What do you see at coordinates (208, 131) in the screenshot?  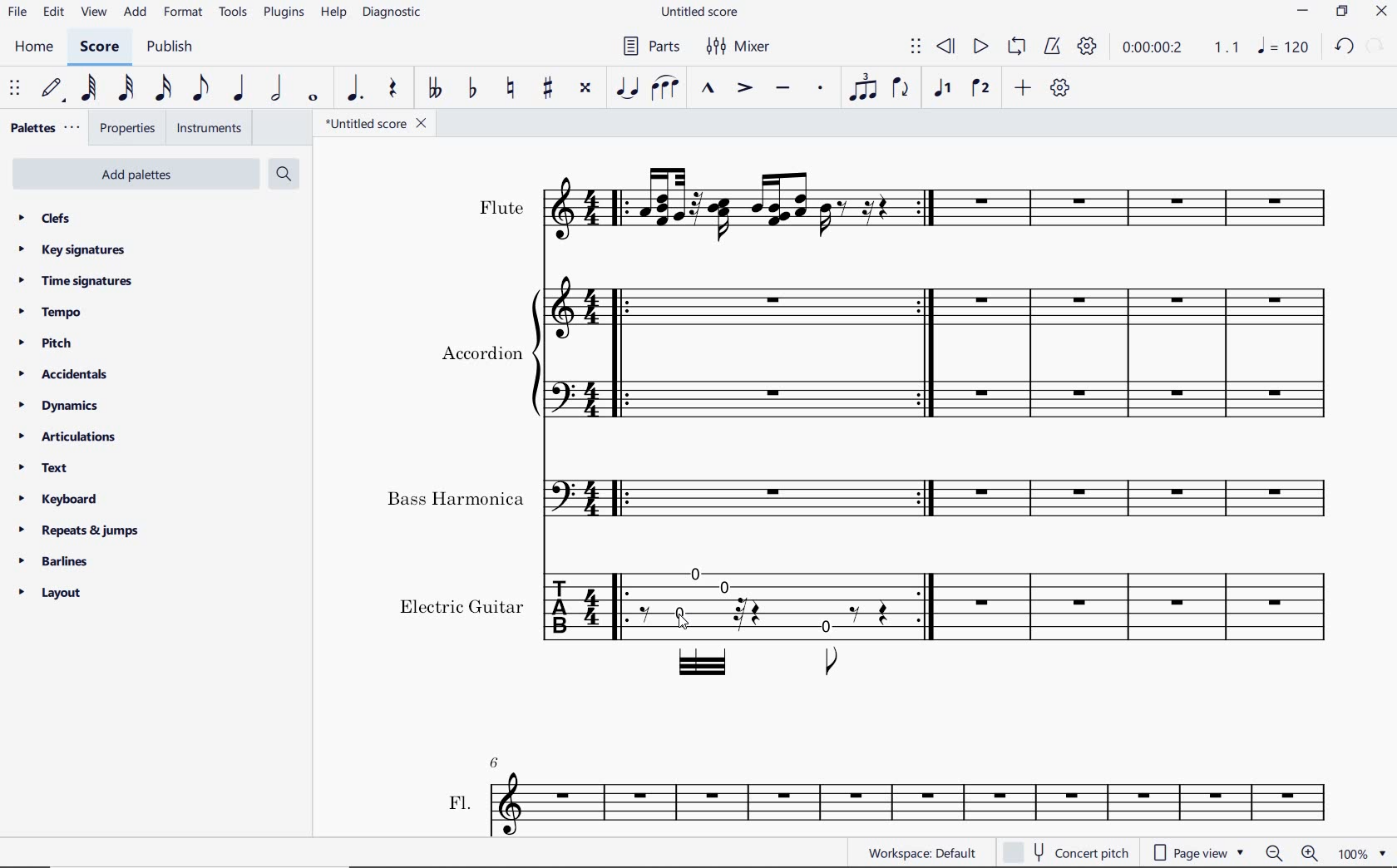 I see `instruments` at bounding box center [208, 131].